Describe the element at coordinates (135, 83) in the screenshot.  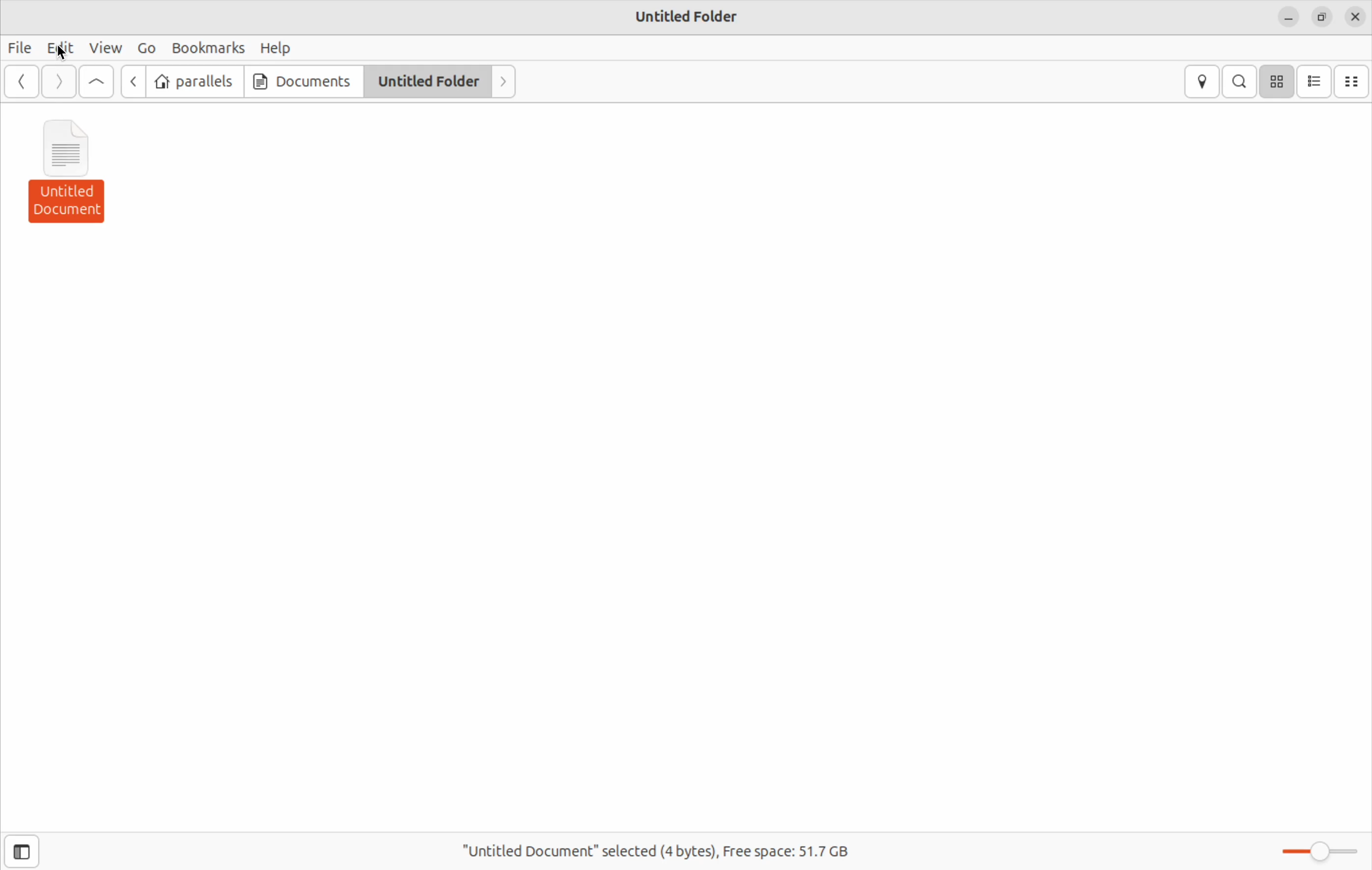
I see `back` at that location.